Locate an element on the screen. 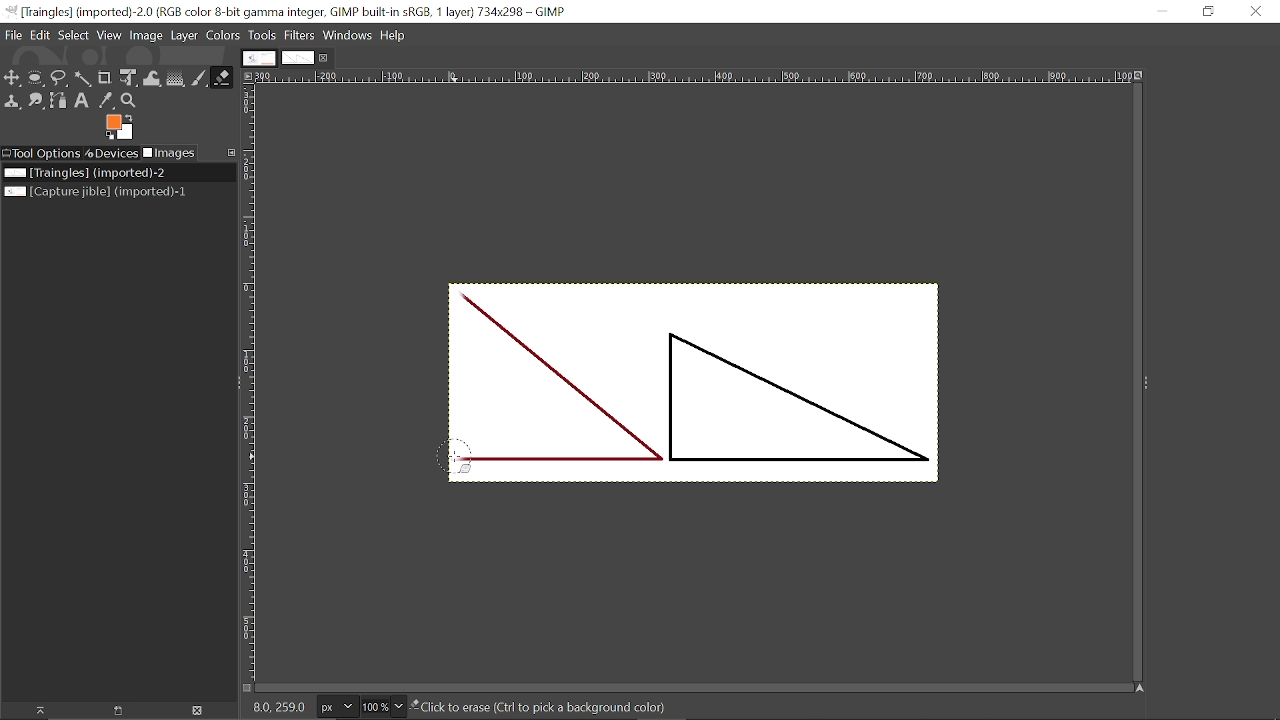  Color picker tool is located at coordinates (105, 101).